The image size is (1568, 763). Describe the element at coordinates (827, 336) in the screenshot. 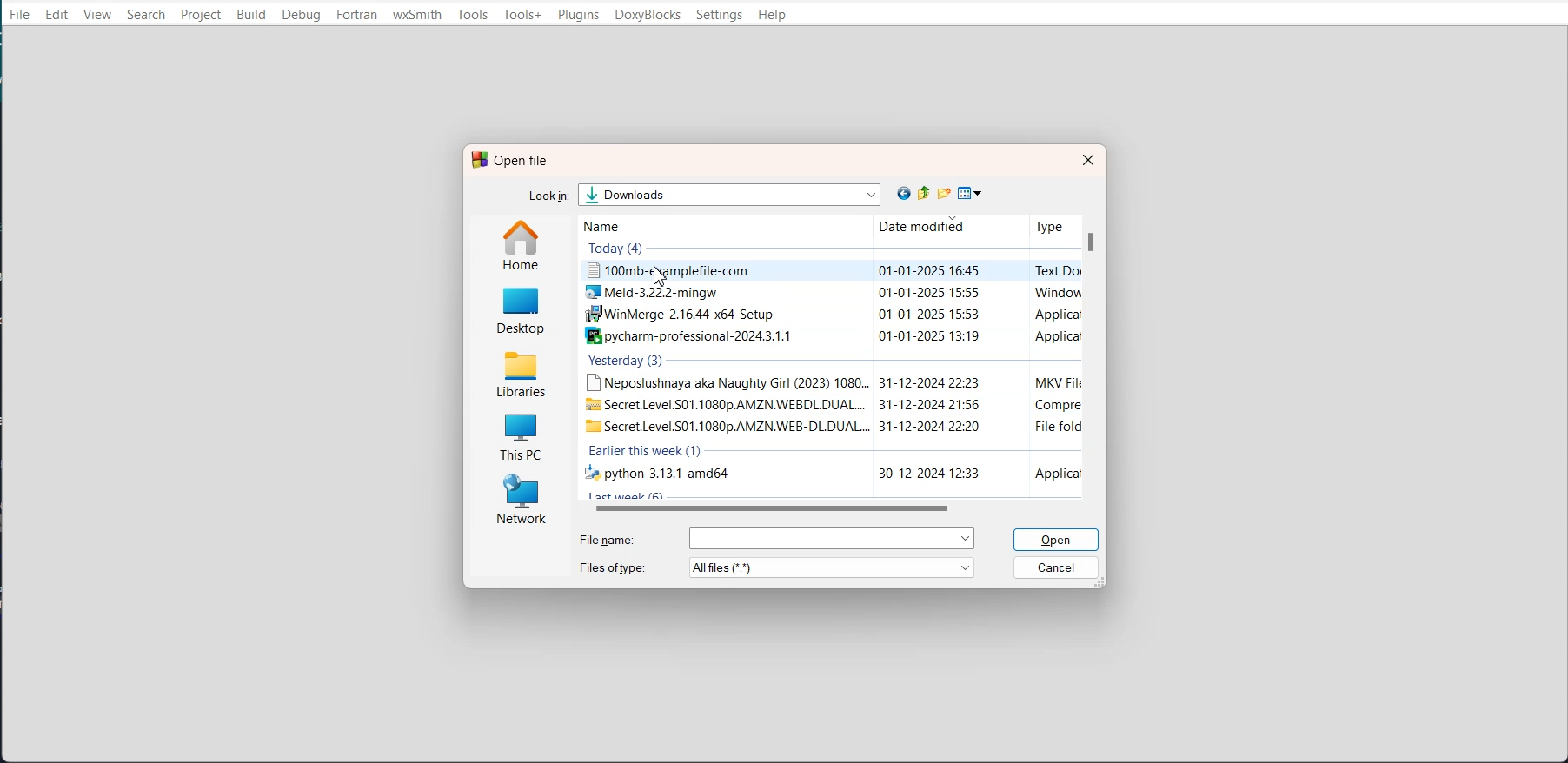

I see `pycharm-professional-2024.3.1.1` at that location.